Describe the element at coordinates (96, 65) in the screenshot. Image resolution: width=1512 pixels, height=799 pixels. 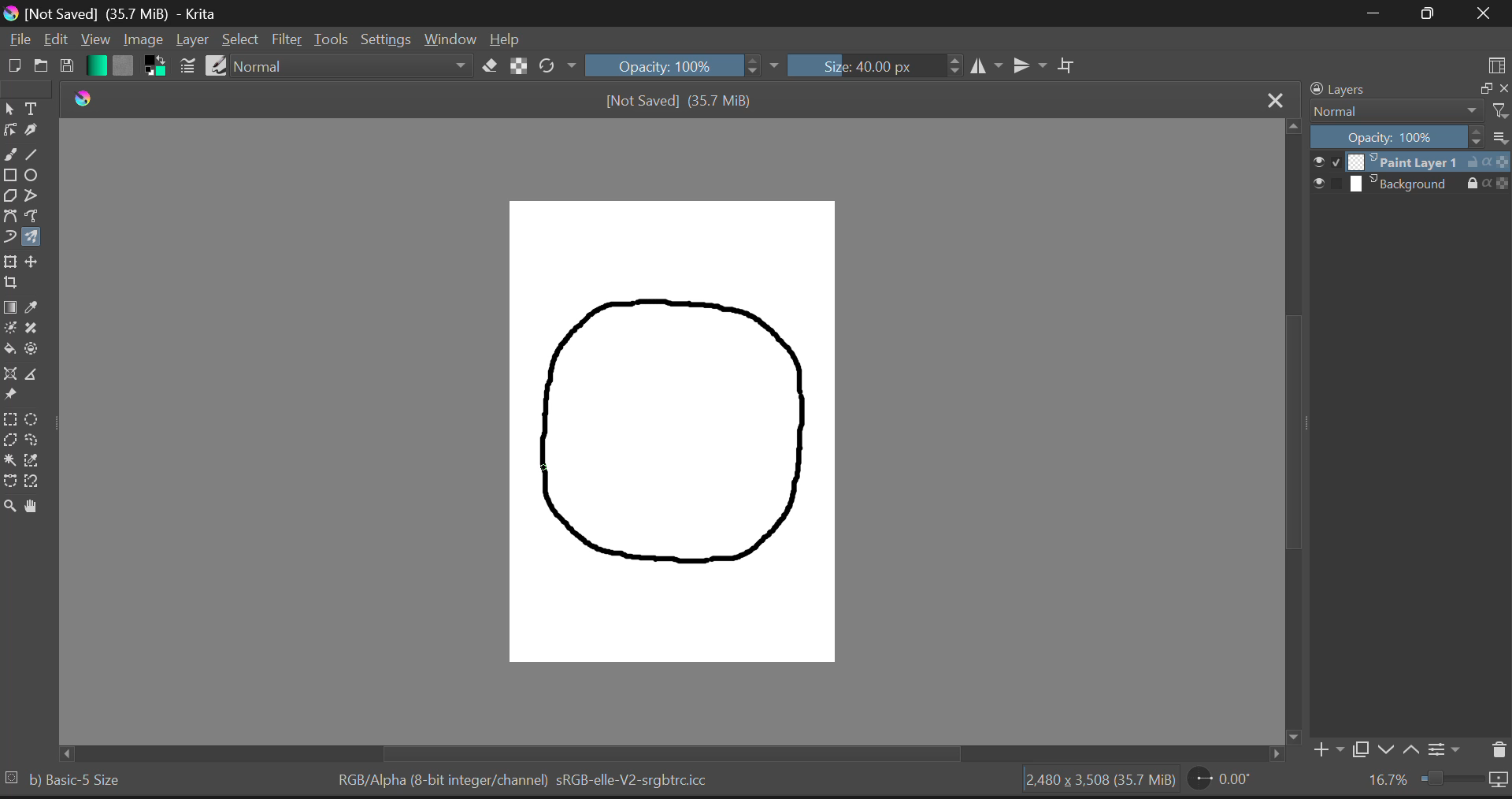
I see `Gradient` at that location.